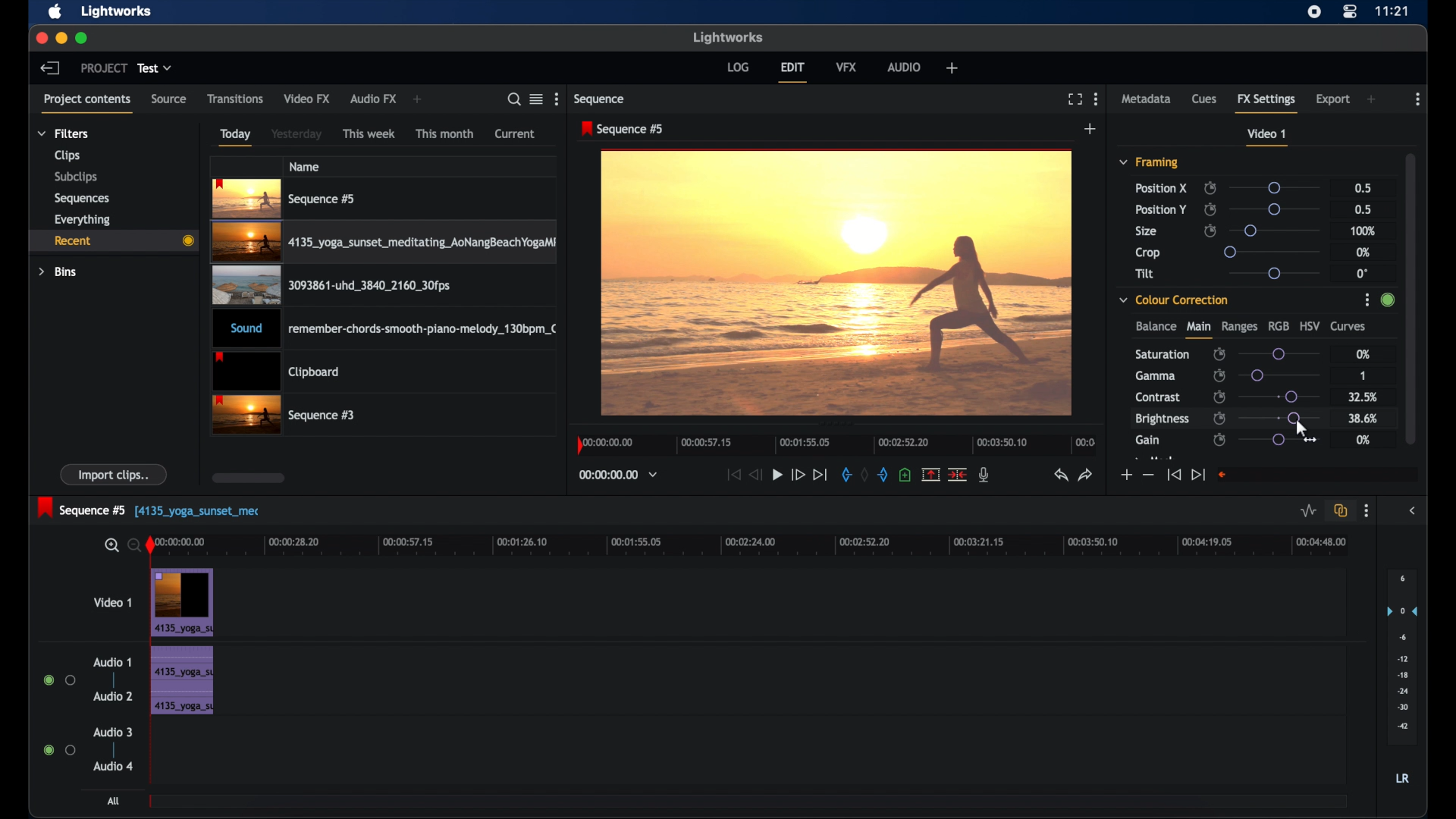 This screenshot has width=1456, height=819. Describe the element at coordinates (86, 102) in the screenshot. I see `project contents` at that location.